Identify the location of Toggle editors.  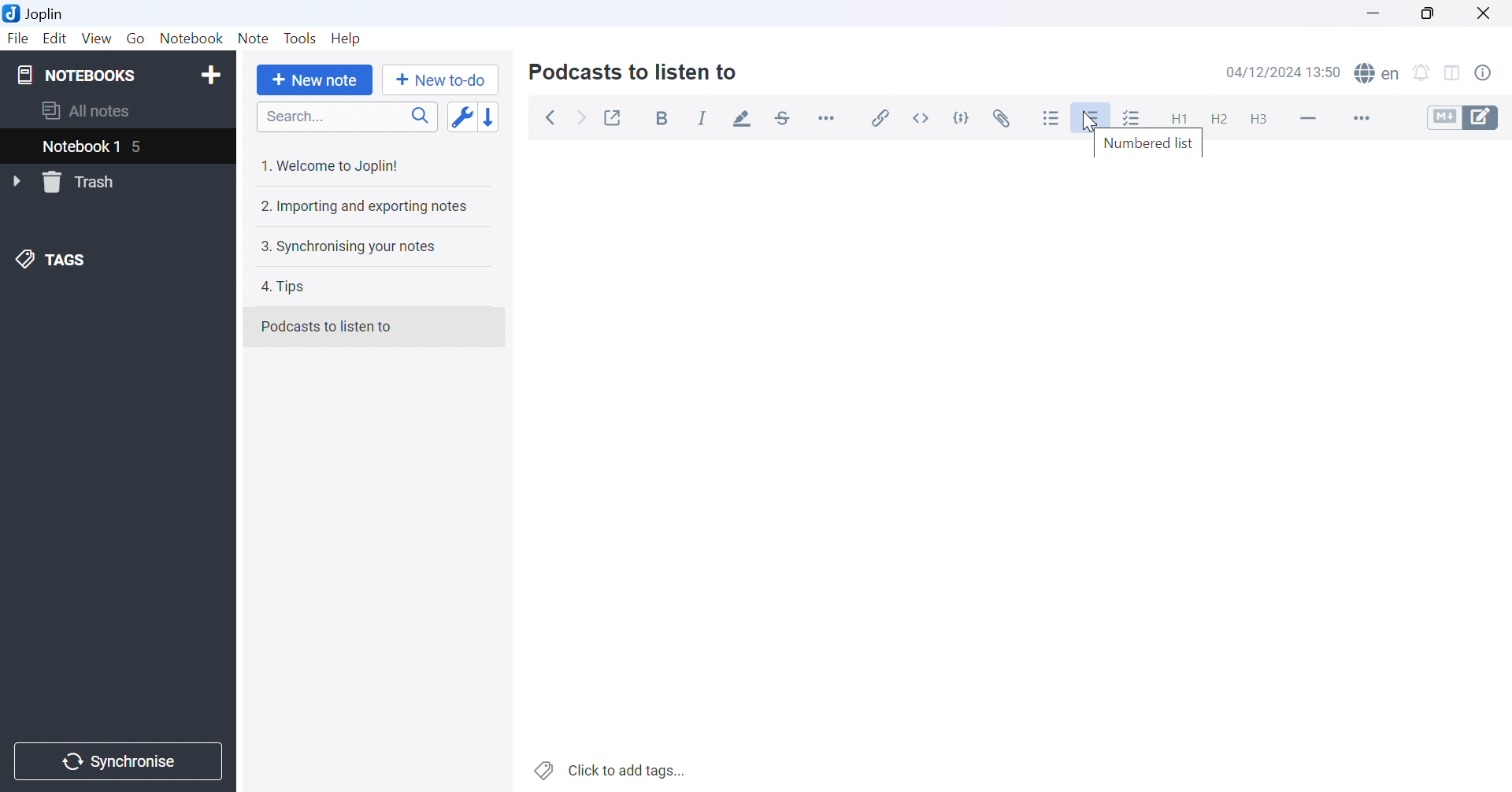
(1469, 117).